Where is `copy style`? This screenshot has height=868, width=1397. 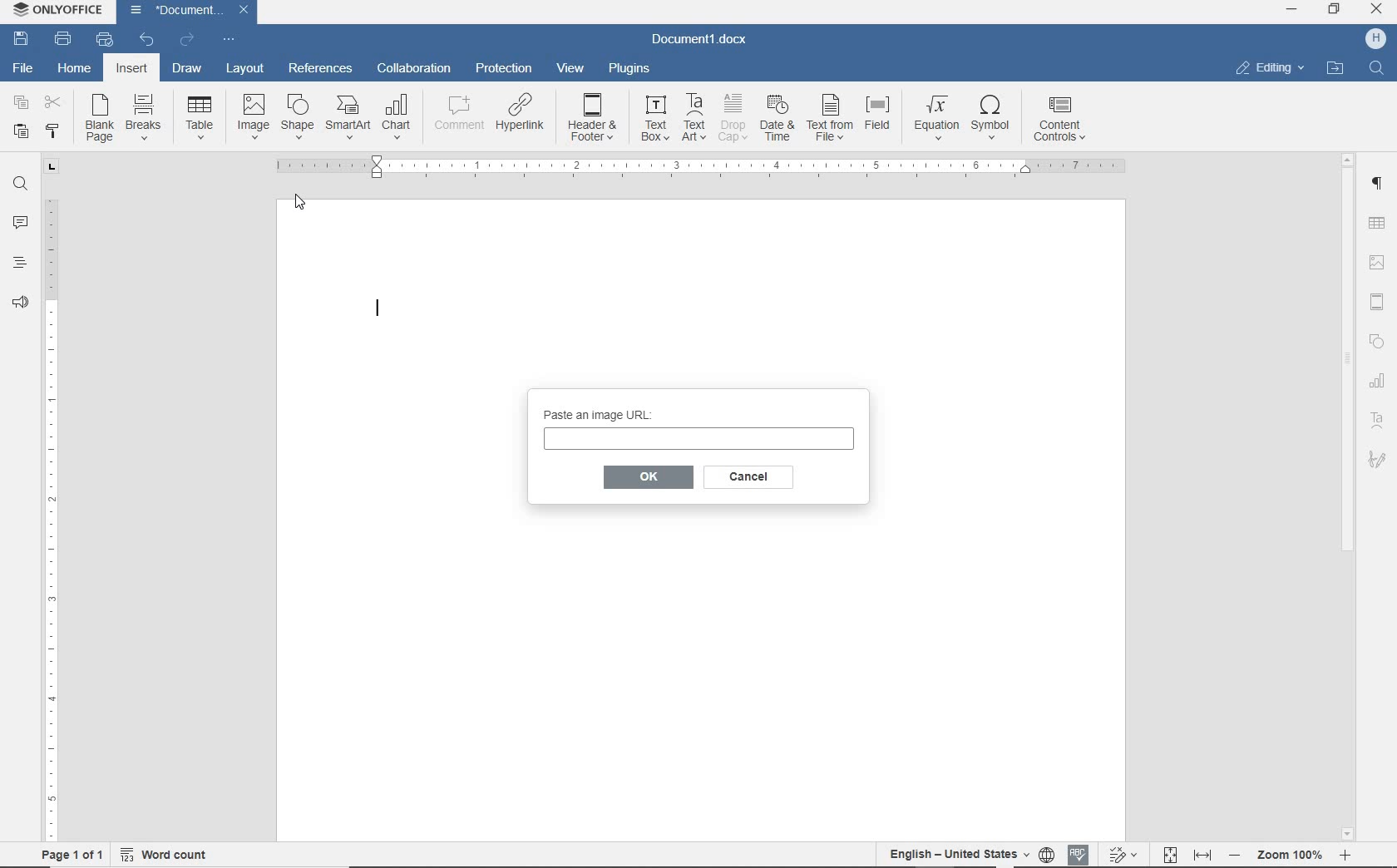 copy style is located at coordinates (54, 131).